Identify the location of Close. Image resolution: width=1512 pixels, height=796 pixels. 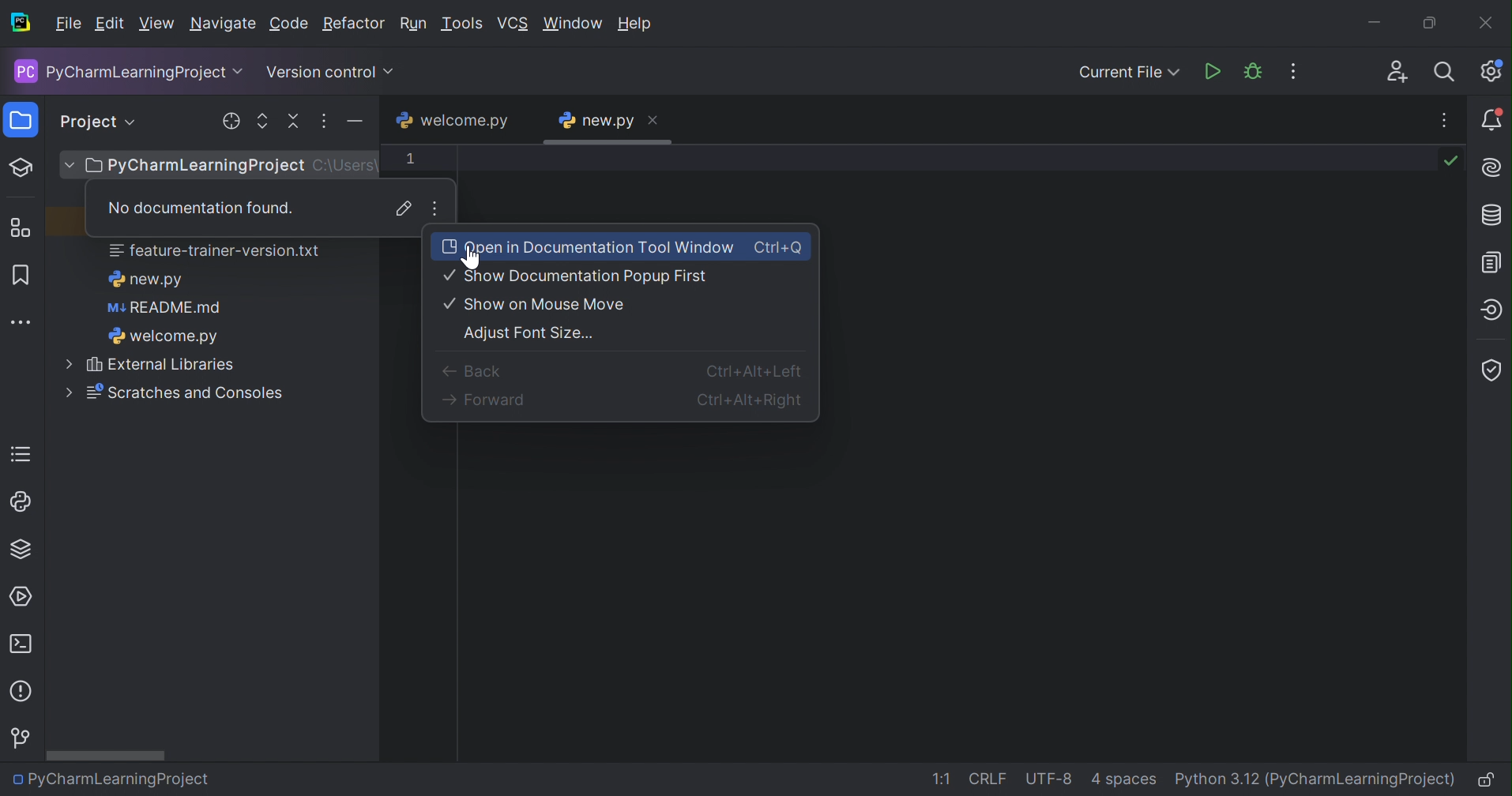
(655, 118).